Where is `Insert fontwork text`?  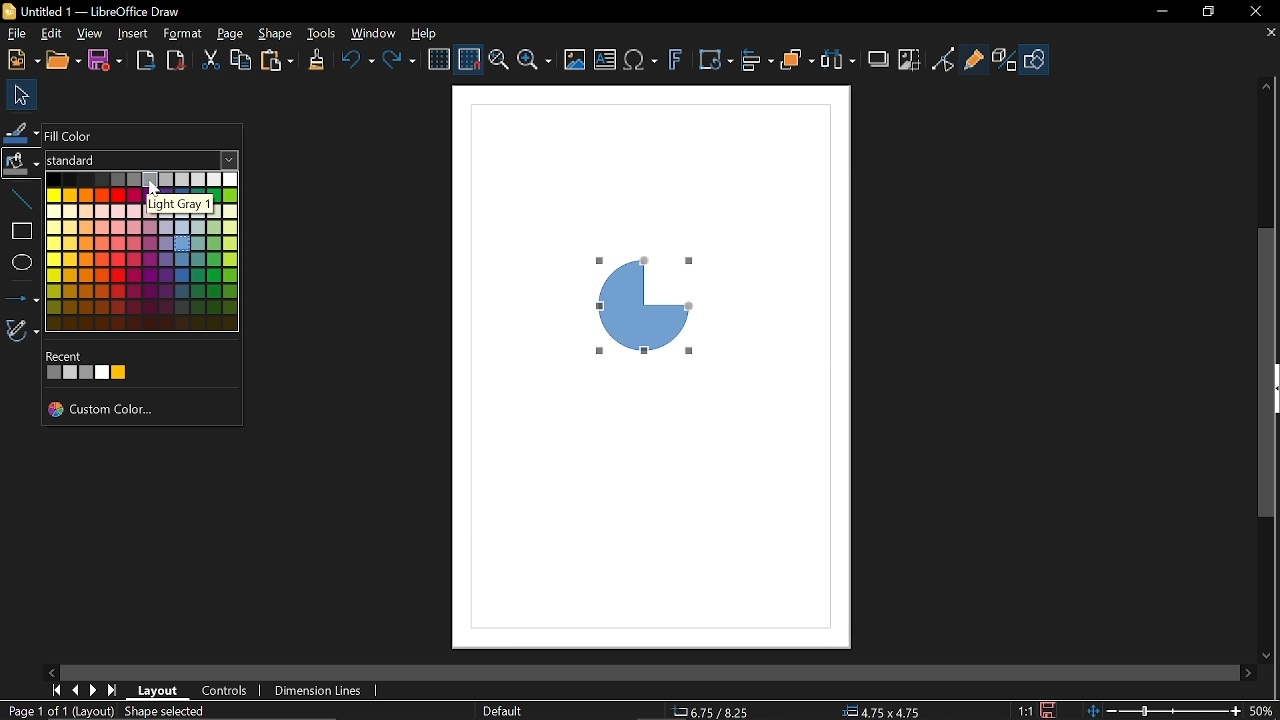
Insert fontwork text is located at coordinates (677, 62).